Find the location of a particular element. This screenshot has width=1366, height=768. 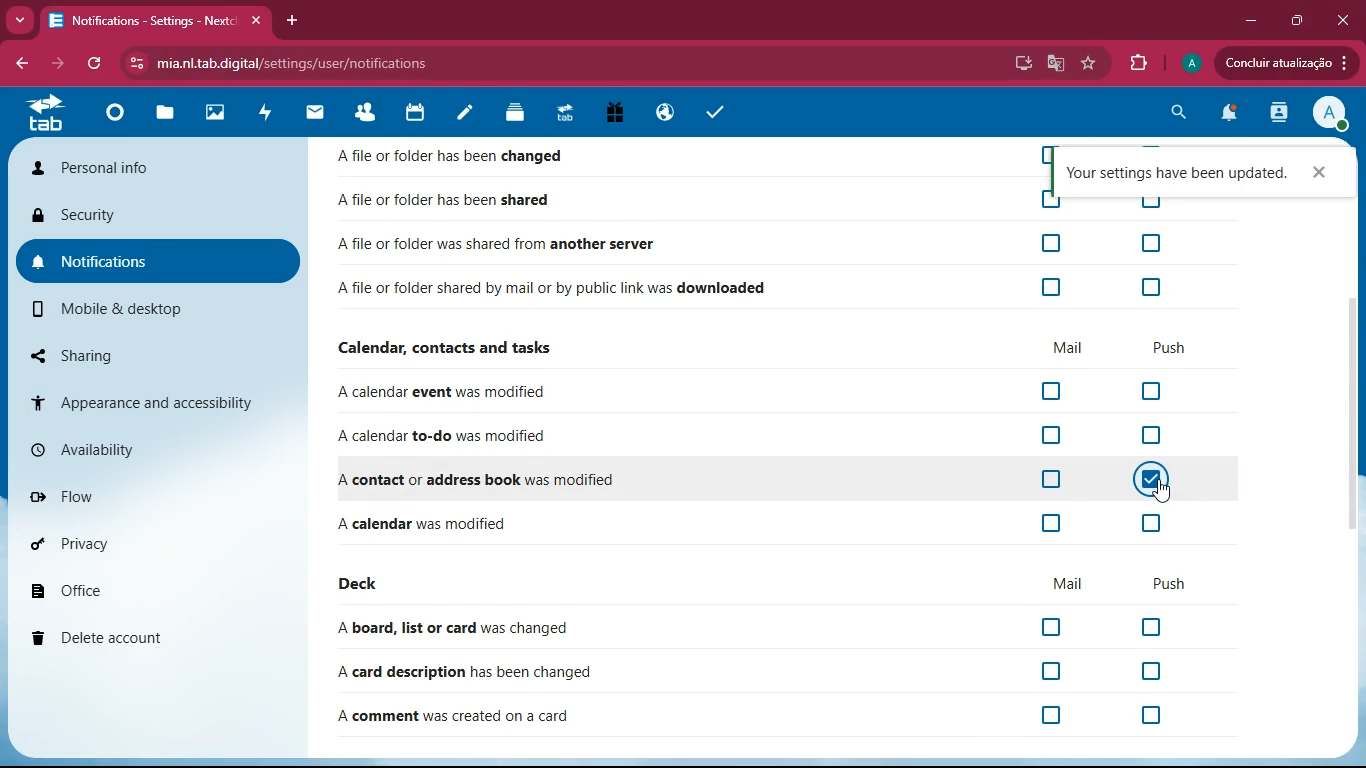

Calendar, contacts and tasks is located at coordinates (455, 349).